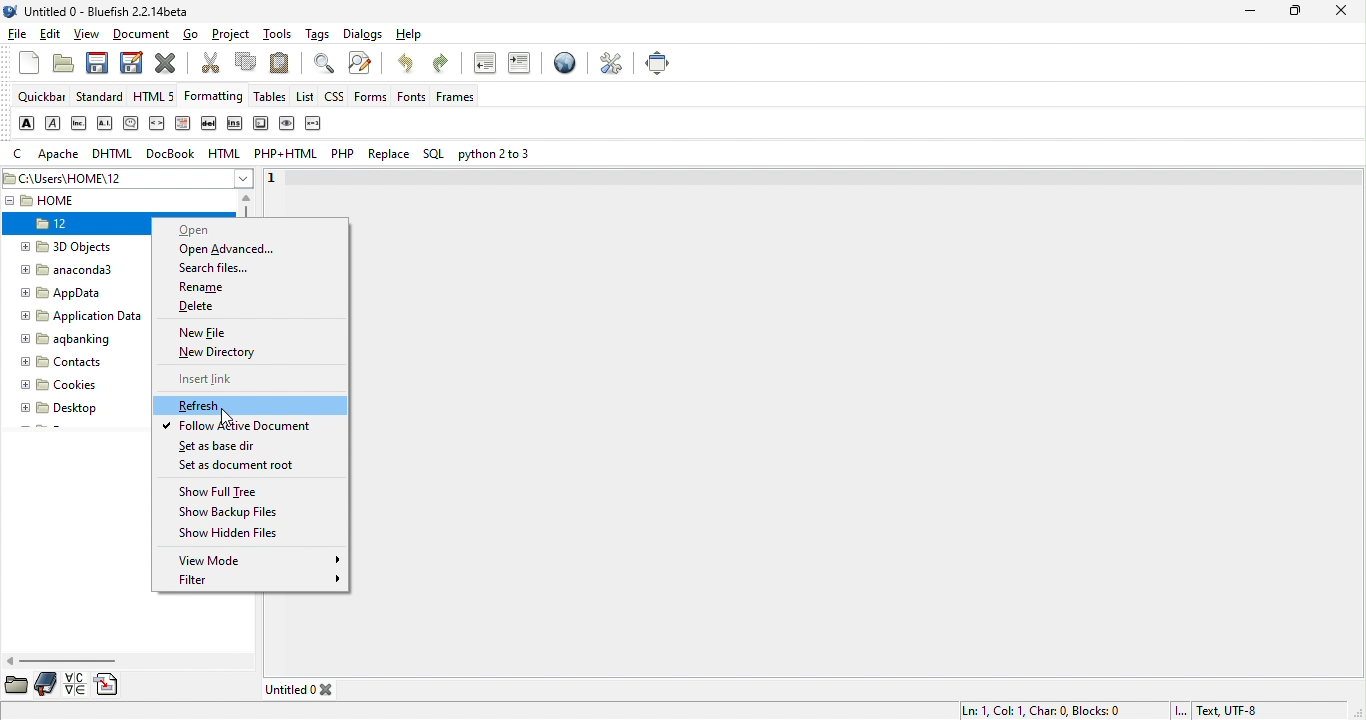 The height and width of the screenshot is (720, 1366). What do you see at coordinates (100, 15) in the screenshot?
I see `title` at bounding box center [100, 15].